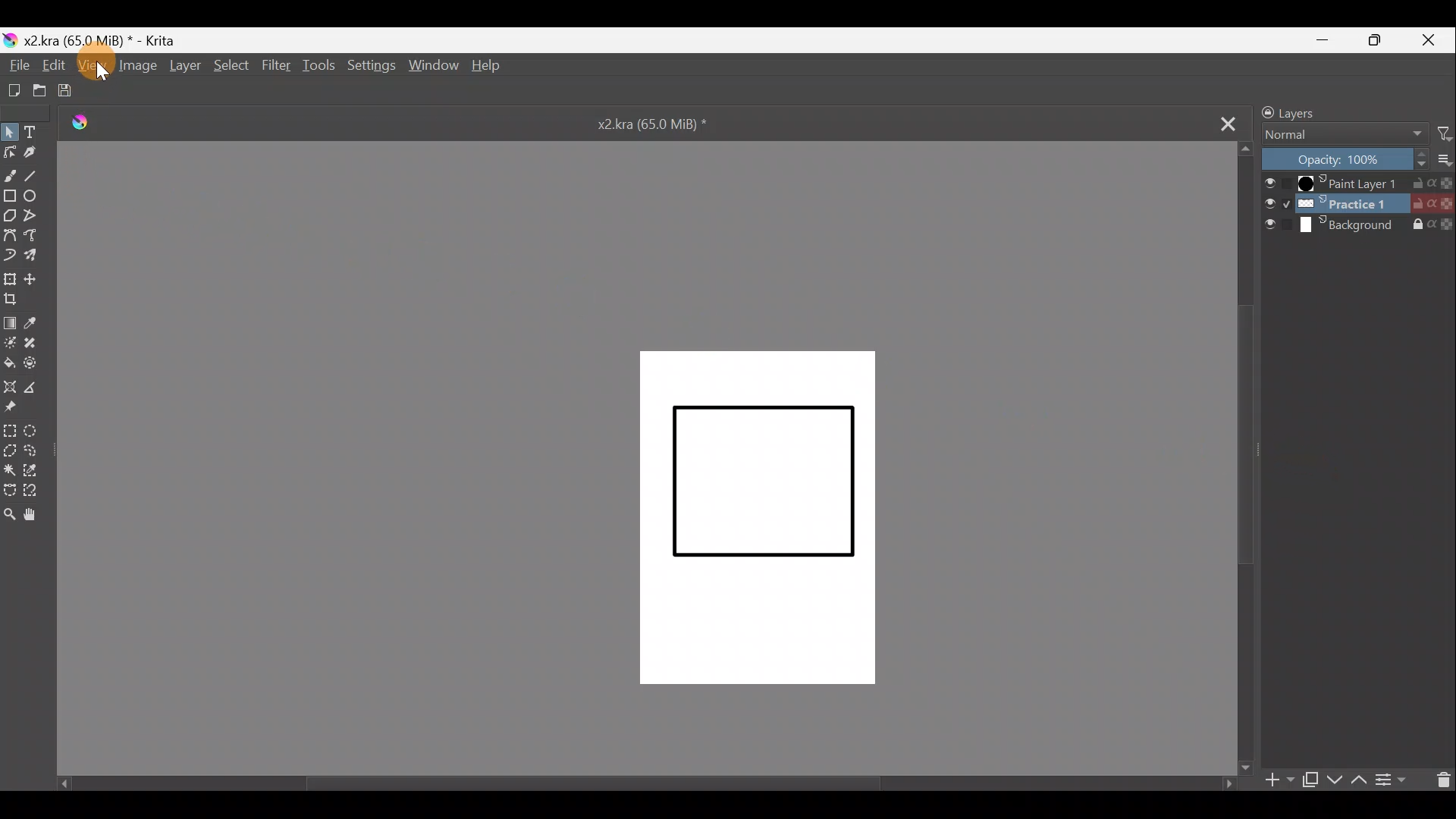  What do you see at coordinates (37, 151) in the screenshot?
I see `Calligraphy` at bounding box center [37, 151].